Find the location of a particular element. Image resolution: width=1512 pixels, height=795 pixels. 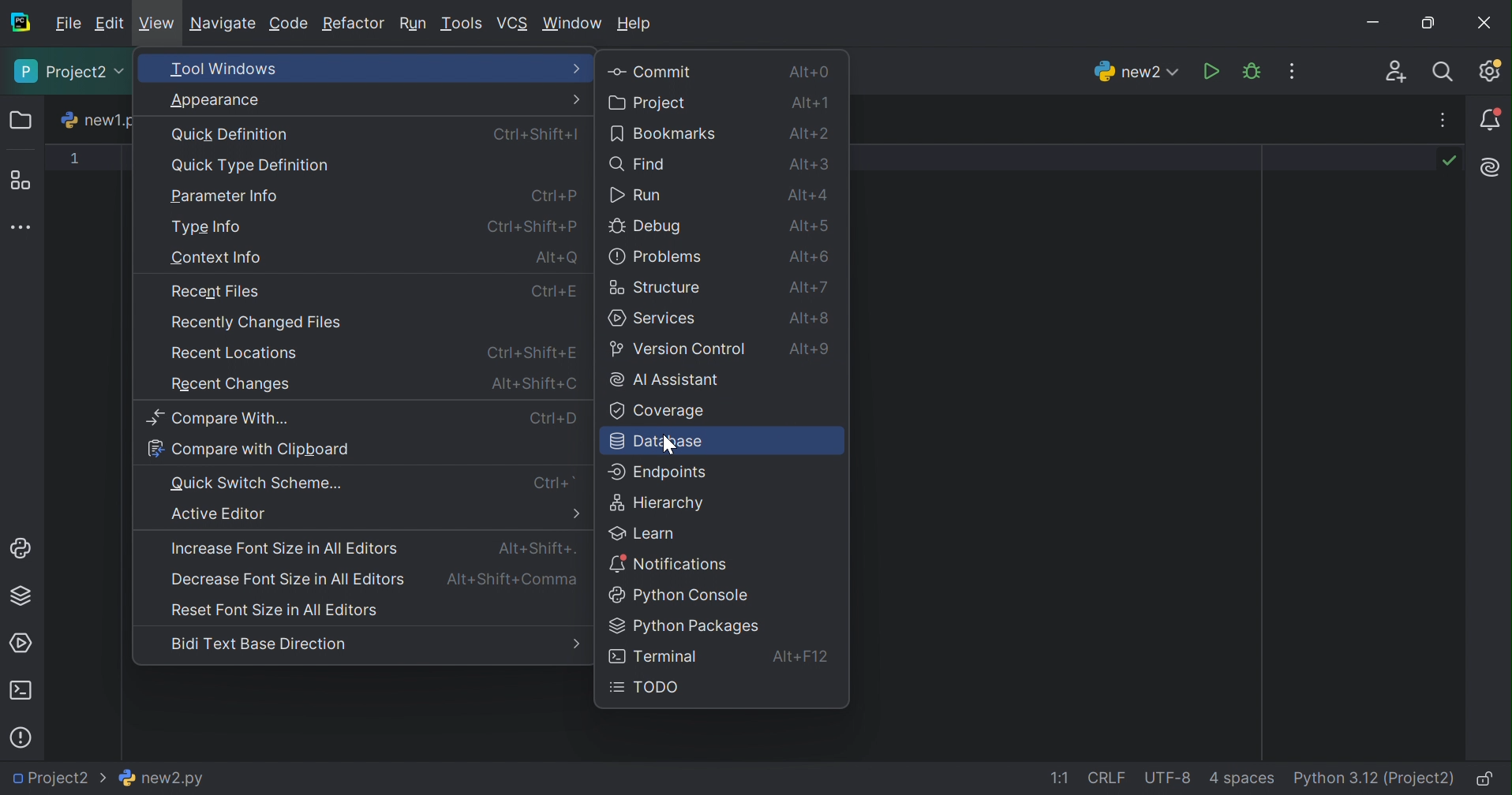

Project is located at coordinates (649, 103).